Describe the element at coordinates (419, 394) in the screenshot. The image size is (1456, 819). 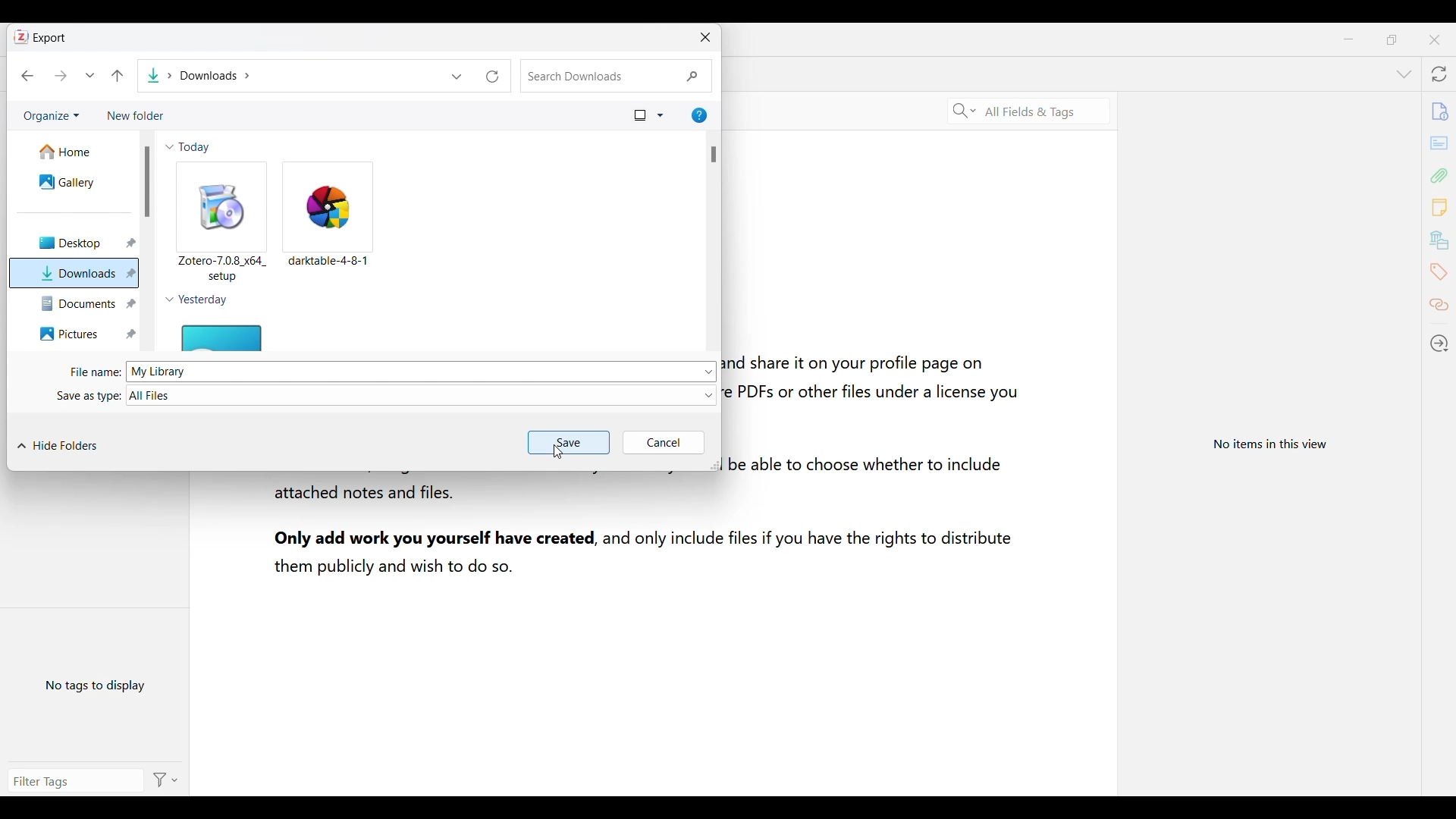
I see `All files` at that location.